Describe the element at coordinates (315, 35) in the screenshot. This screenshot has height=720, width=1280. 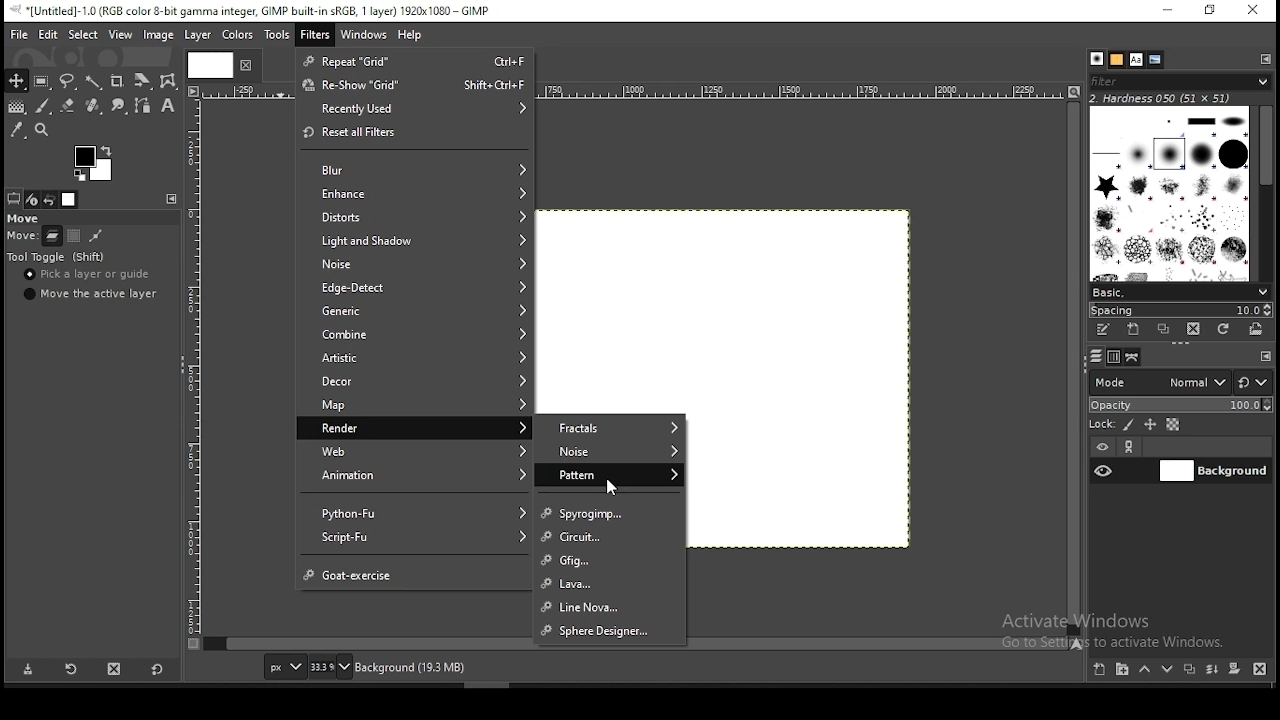
I see `filters` at that location.